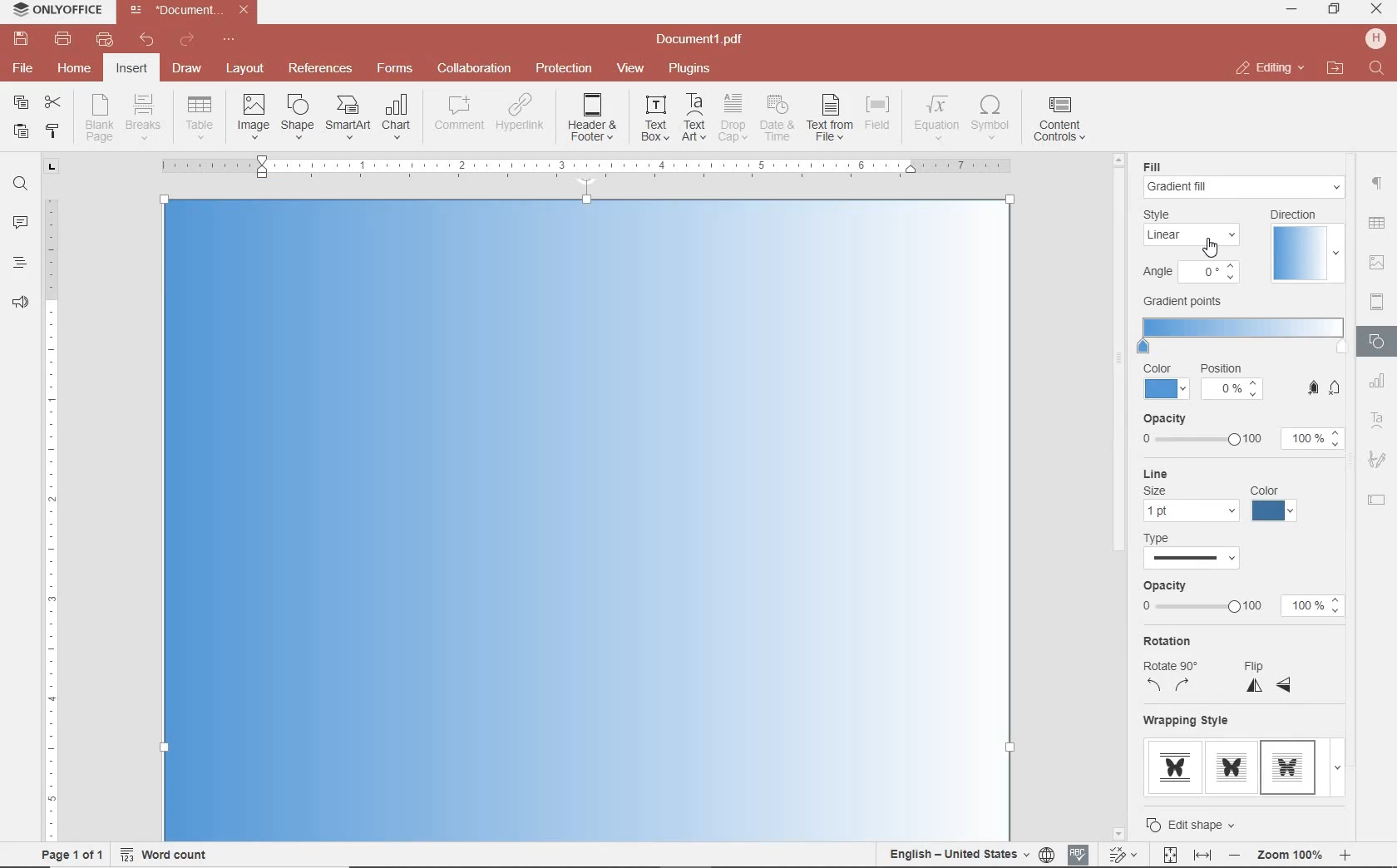 Image resolution: width=1397 pixels, height=868 pixels. What do you see at coordinates (990, 116) in the screenshot?
I see `INSERT SYMBOL` at bounding box center [990, 116].